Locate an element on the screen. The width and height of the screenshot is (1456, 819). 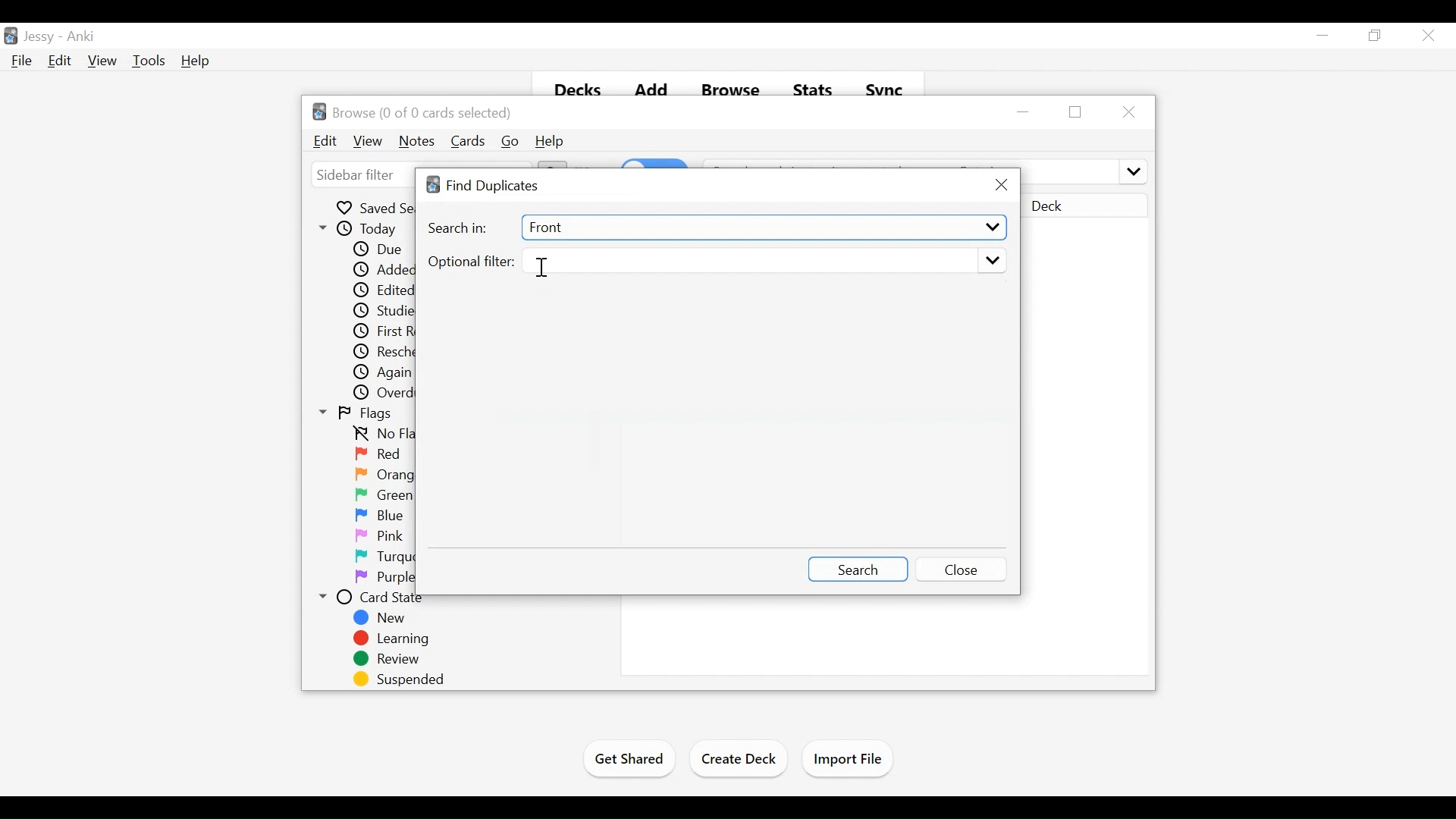
Insertion cursor is located at coordinates (544, 268).